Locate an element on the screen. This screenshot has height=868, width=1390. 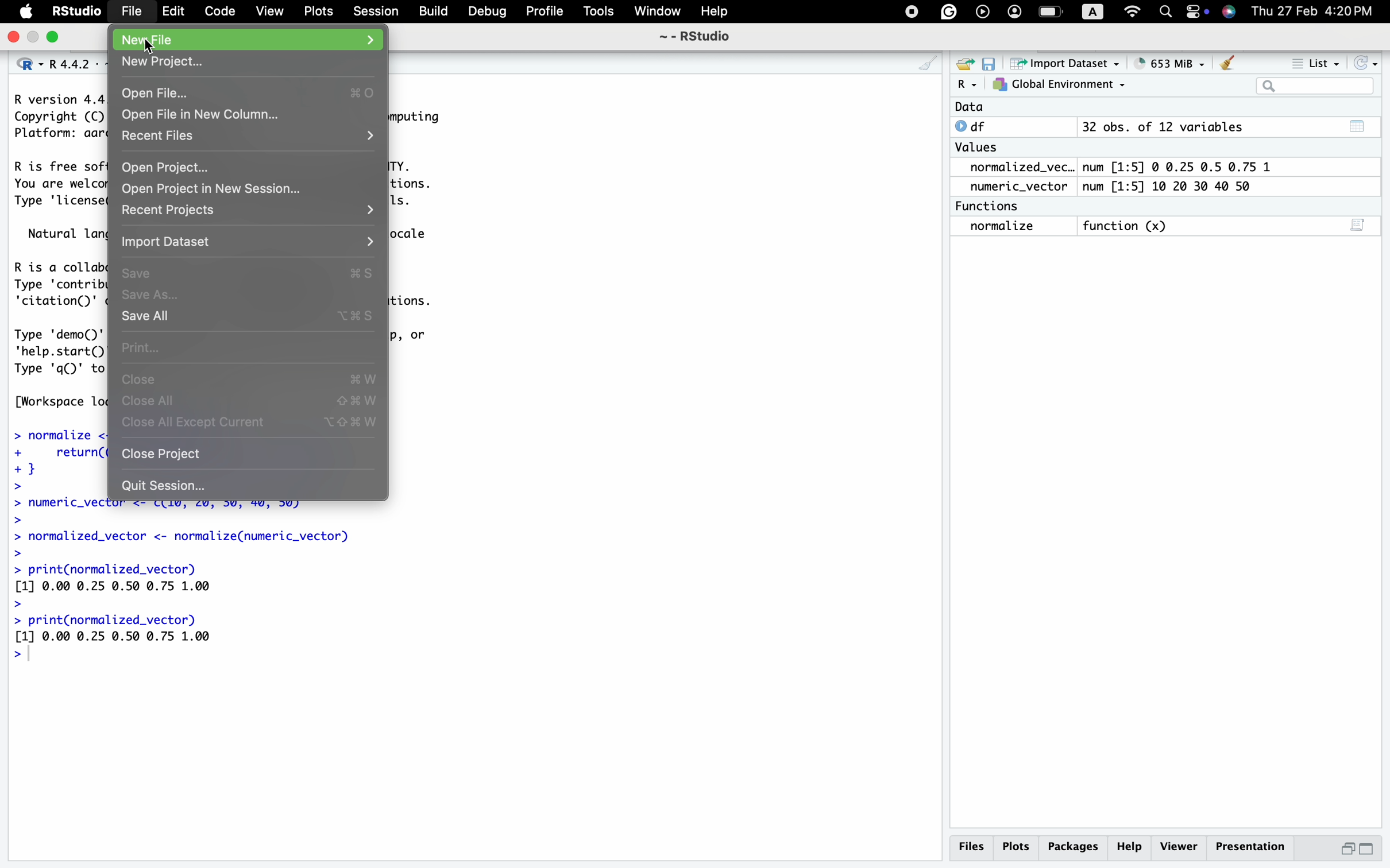
R is located at coordinates (967, 85).